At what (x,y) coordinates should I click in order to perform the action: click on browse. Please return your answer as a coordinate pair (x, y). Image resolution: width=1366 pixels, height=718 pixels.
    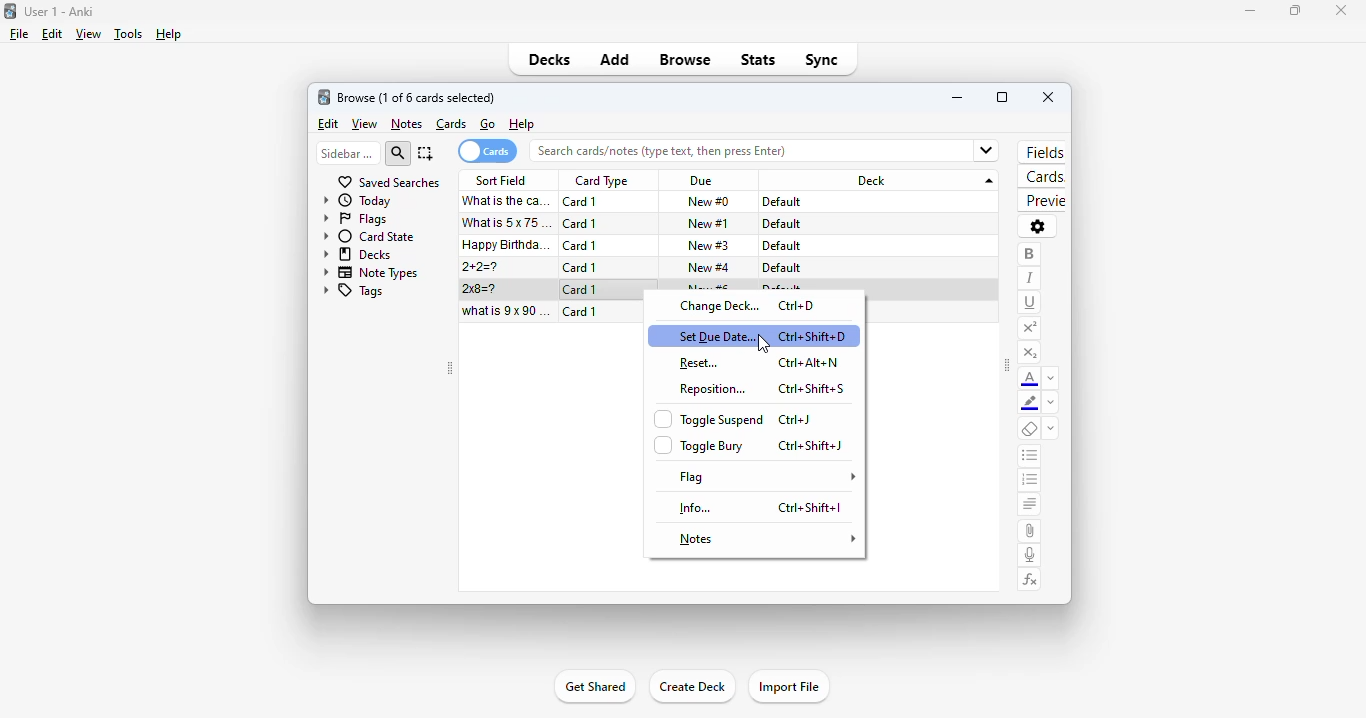
    Looking at the image, I should click on (686, 61).